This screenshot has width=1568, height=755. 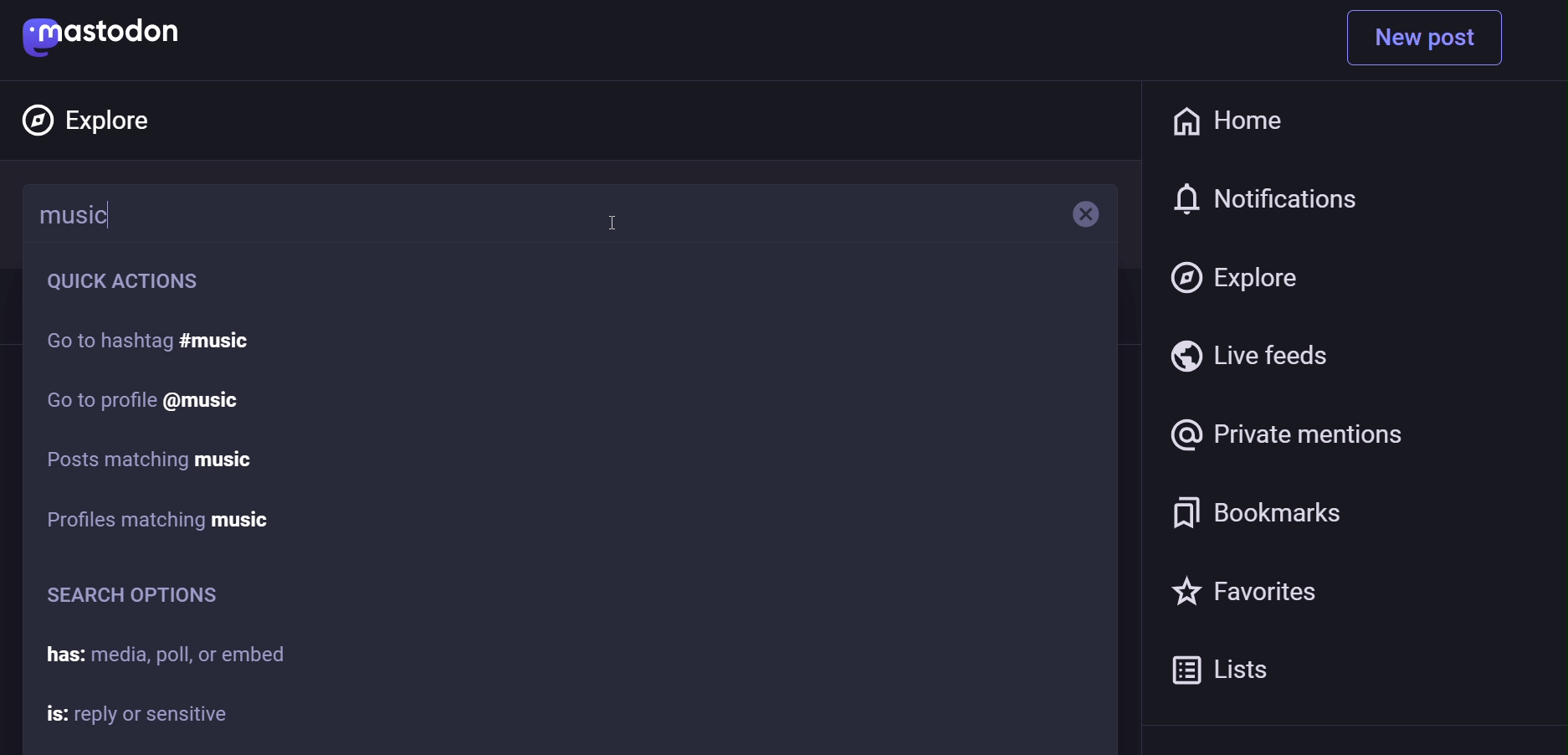 I want to click on search option, so click(x=133, y=591).